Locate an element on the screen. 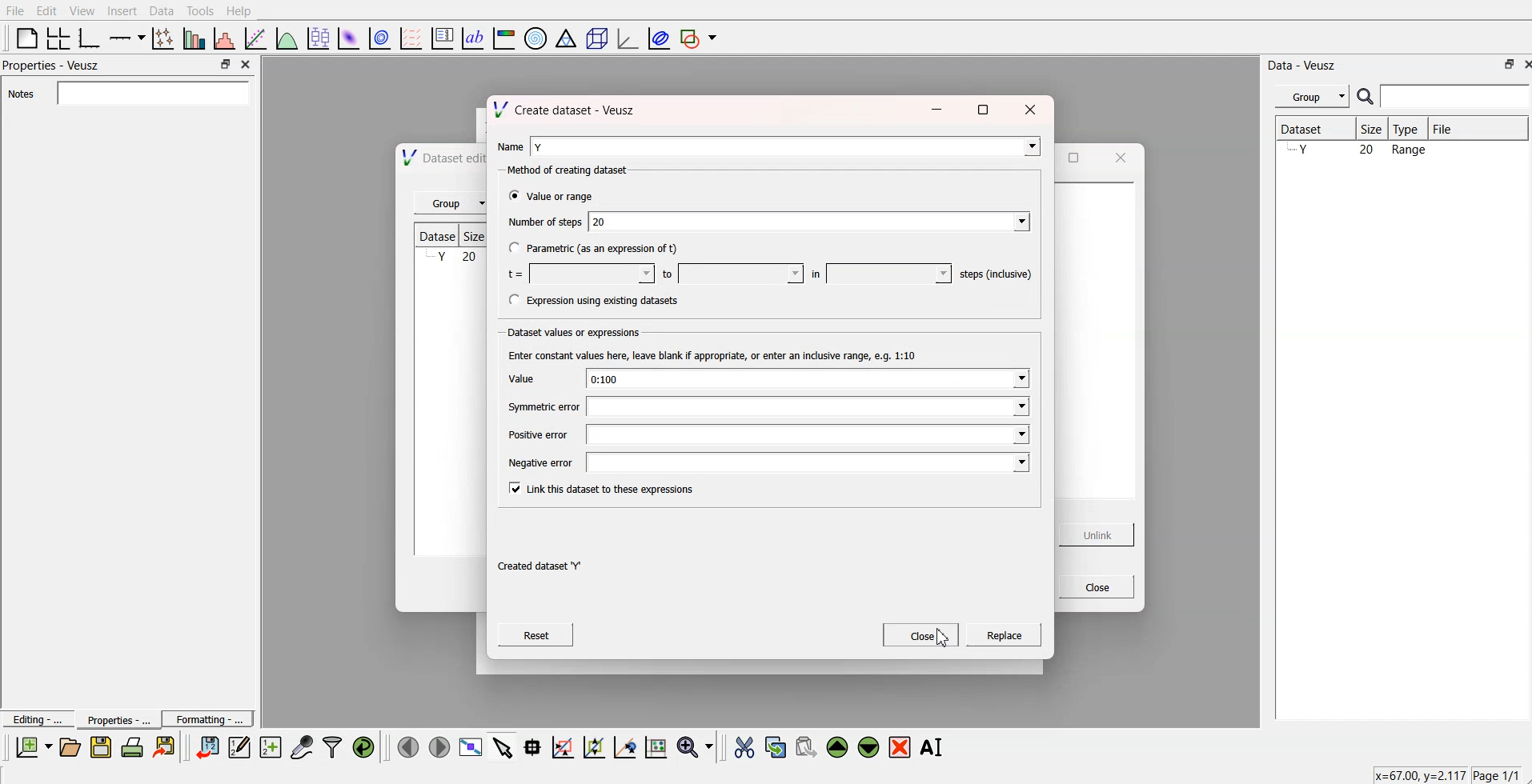 The width and height of the screenshot is (1532, 784). histogram of dataset is located at coordinates (226, 38).